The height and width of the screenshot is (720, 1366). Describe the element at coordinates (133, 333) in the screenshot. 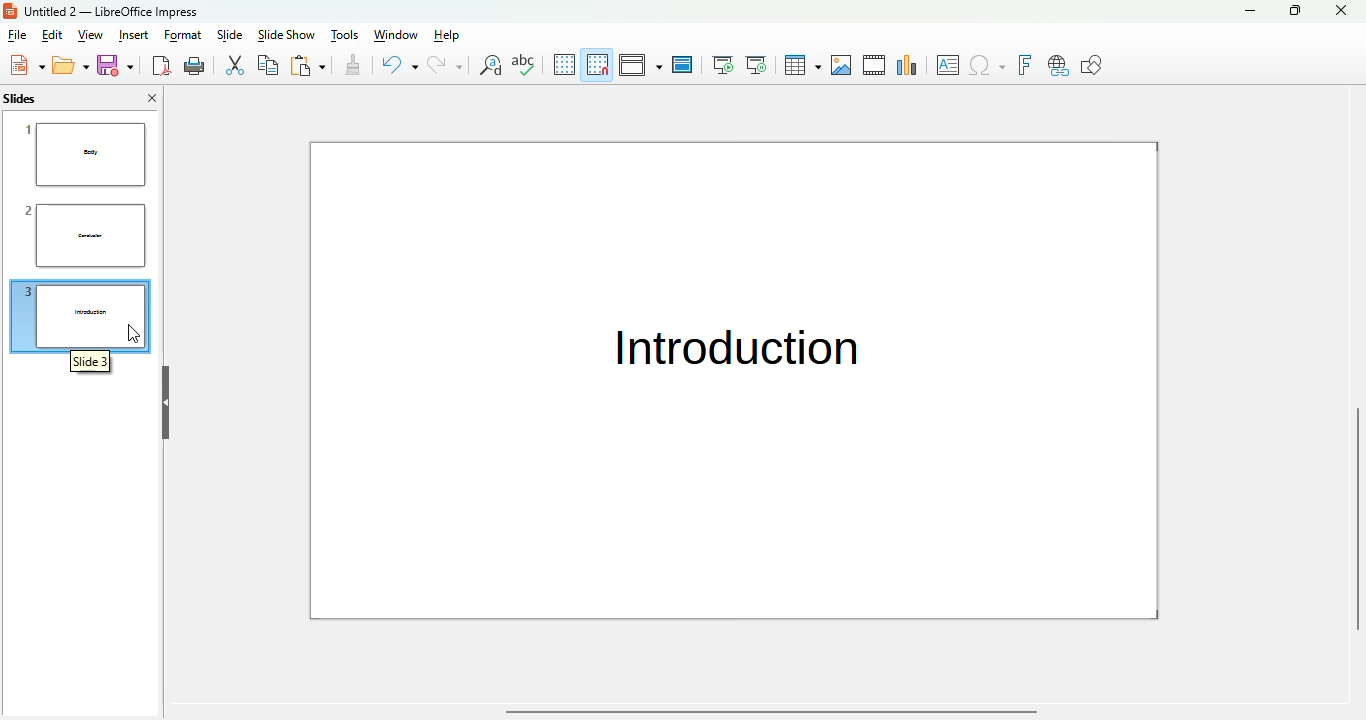

I see `hotkey (Alt + Shift + home)` at that location.